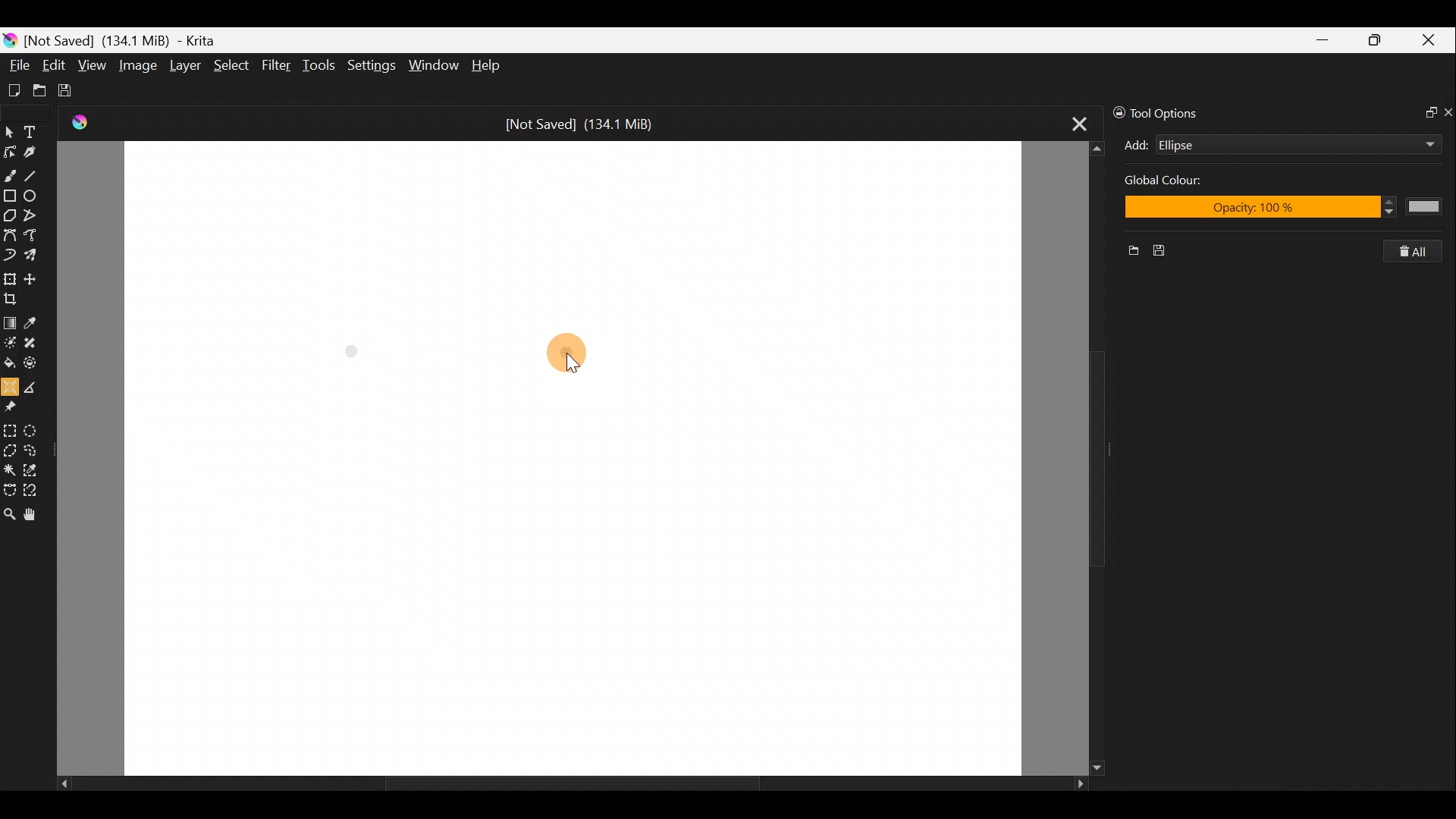 Image resolution: width=1456 pixels, height=819 pixels. I want to click on Close docker, so click(1447, 111).